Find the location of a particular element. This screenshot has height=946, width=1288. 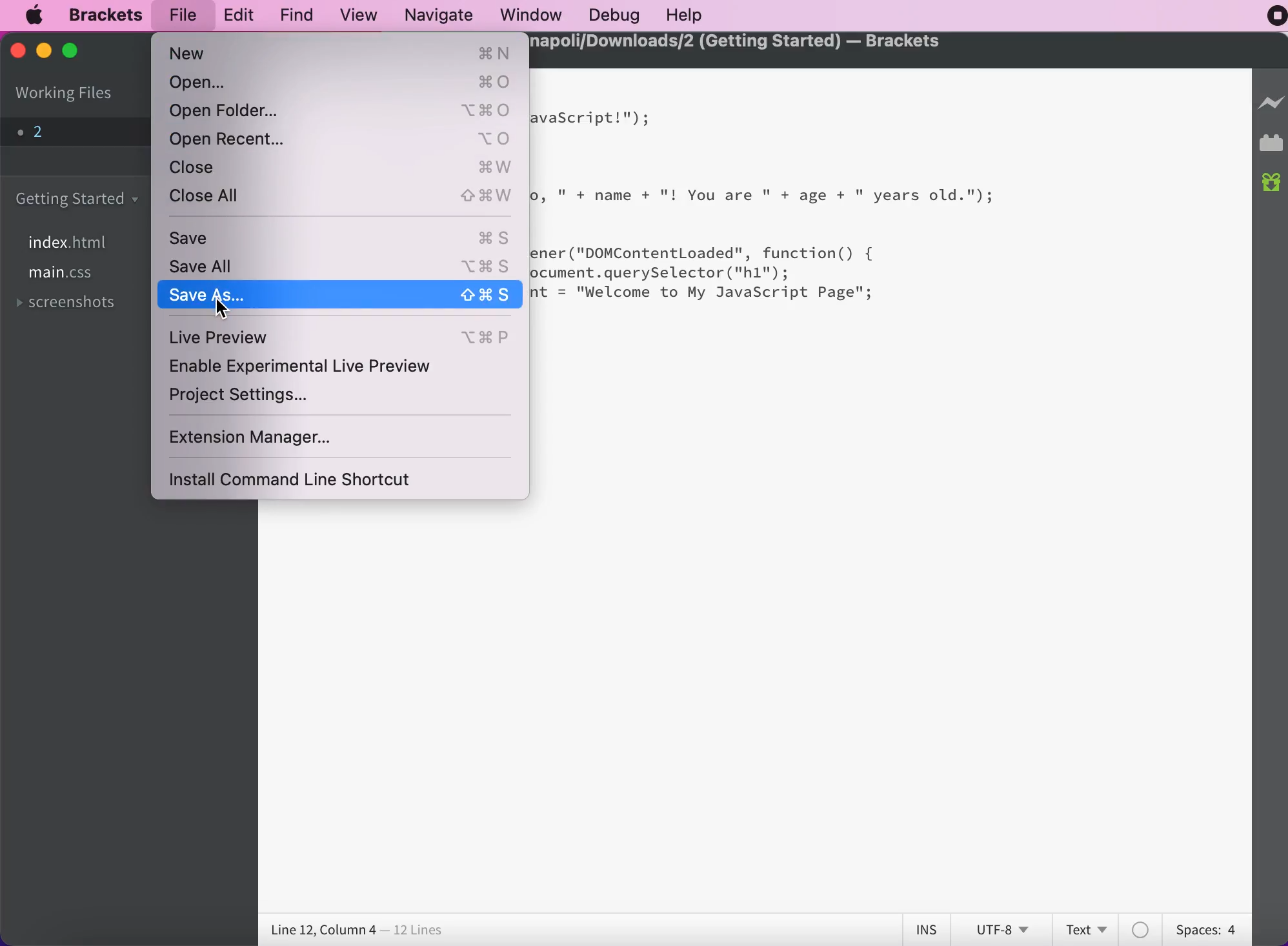

ins is located at coordinates (928, 930).